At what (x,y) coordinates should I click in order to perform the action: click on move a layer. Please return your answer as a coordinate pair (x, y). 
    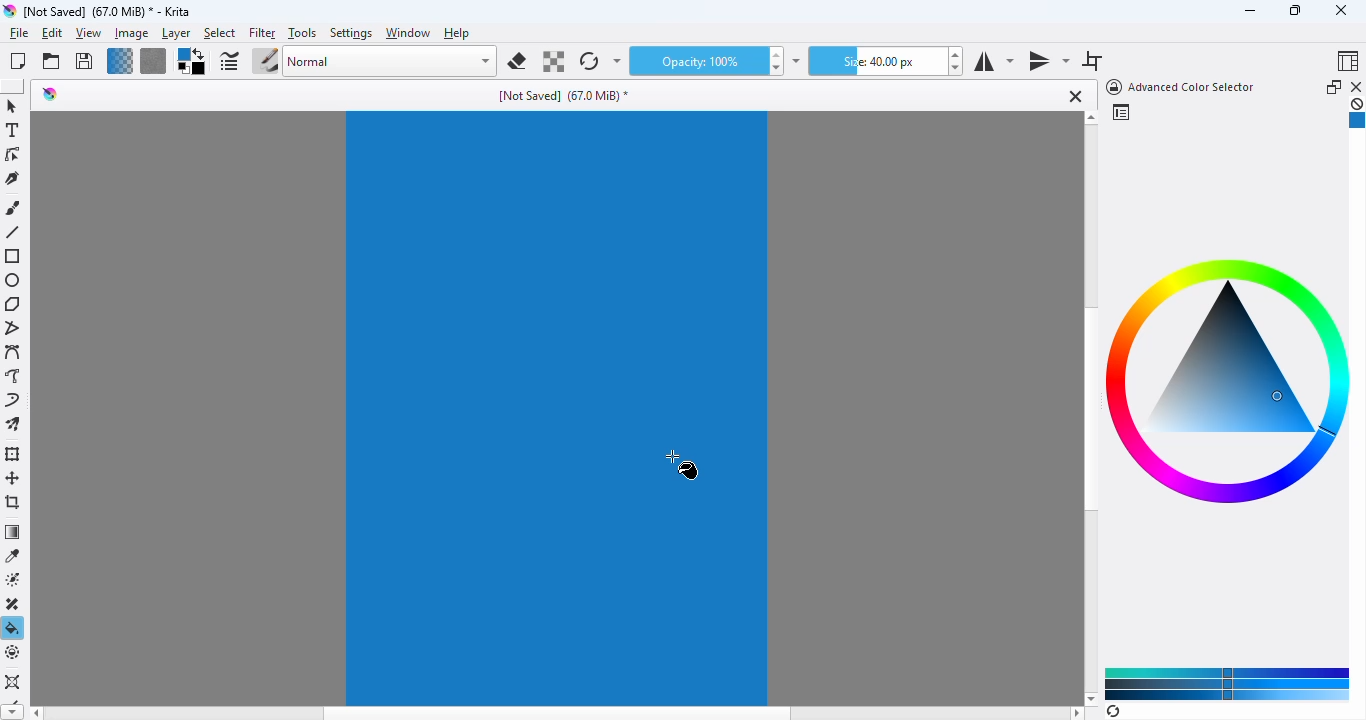
    Looking at the image, I should click on (13, 478).